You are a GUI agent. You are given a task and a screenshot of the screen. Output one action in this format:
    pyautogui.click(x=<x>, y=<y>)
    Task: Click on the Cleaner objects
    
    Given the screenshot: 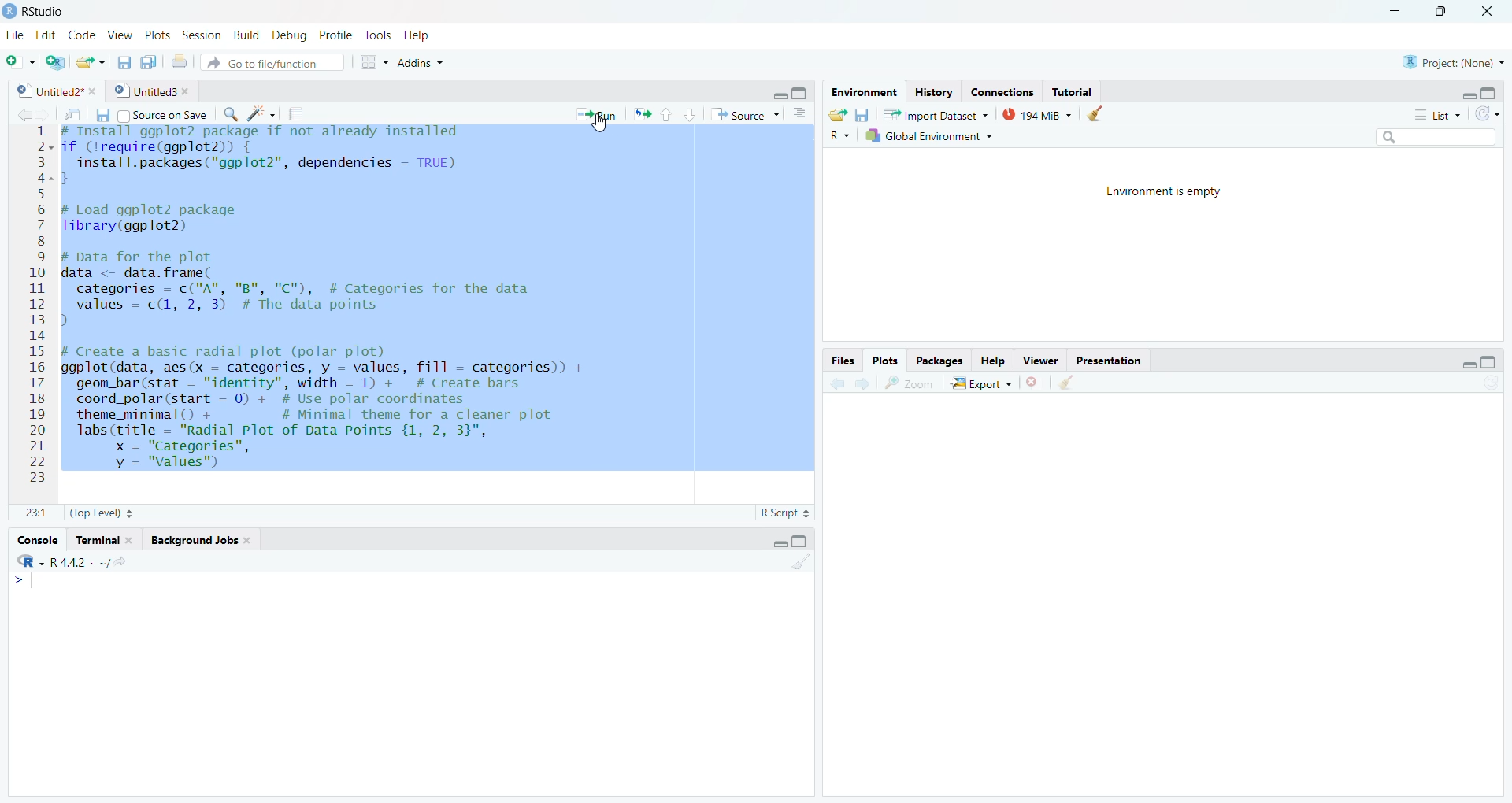 What is the action you would take?
    pyautogui.click(x=1100, y=114)
    